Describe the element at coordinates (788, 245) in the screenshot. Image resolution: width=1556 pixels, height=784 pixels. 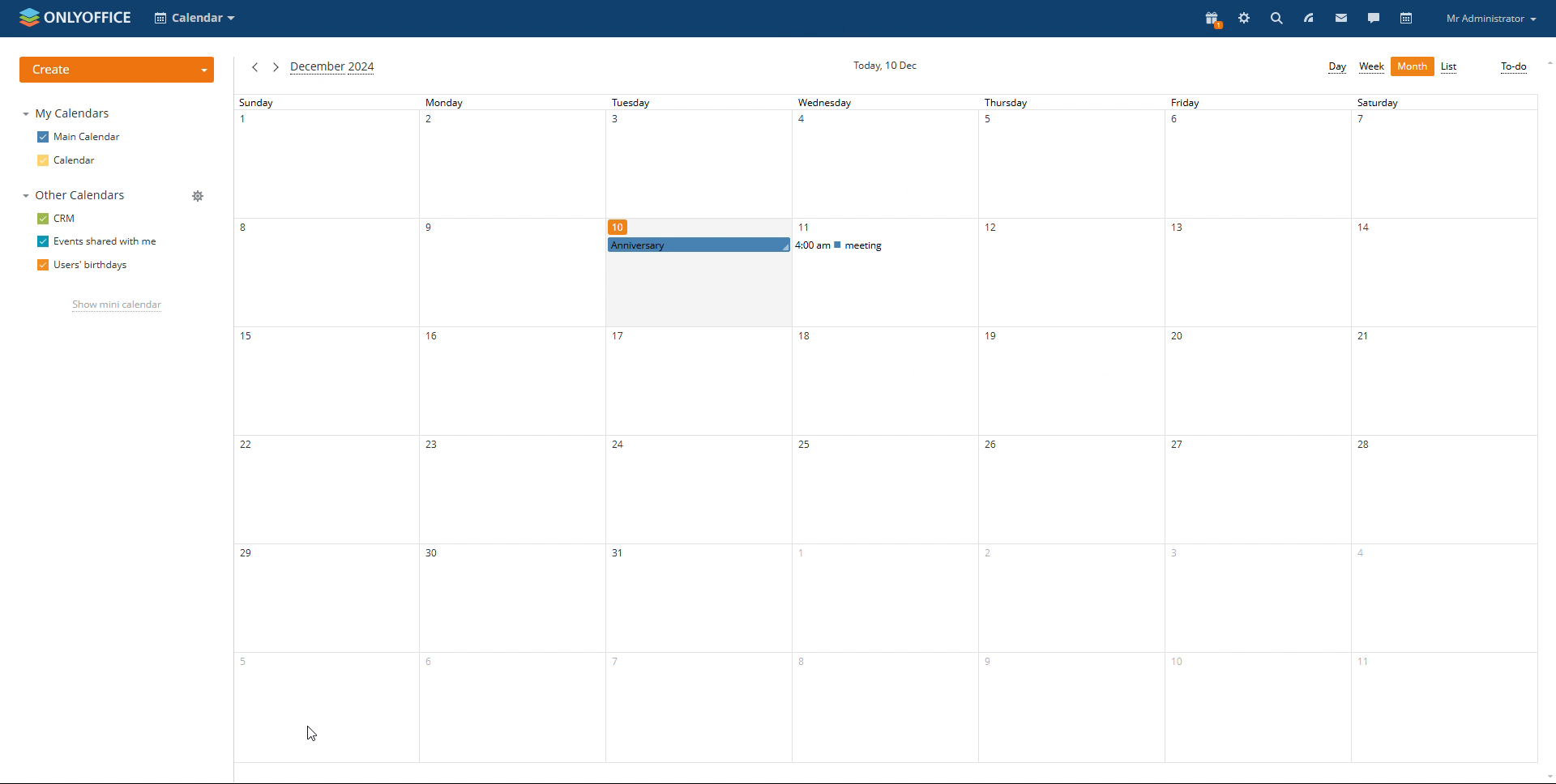
I see `events scheduled` at that location.